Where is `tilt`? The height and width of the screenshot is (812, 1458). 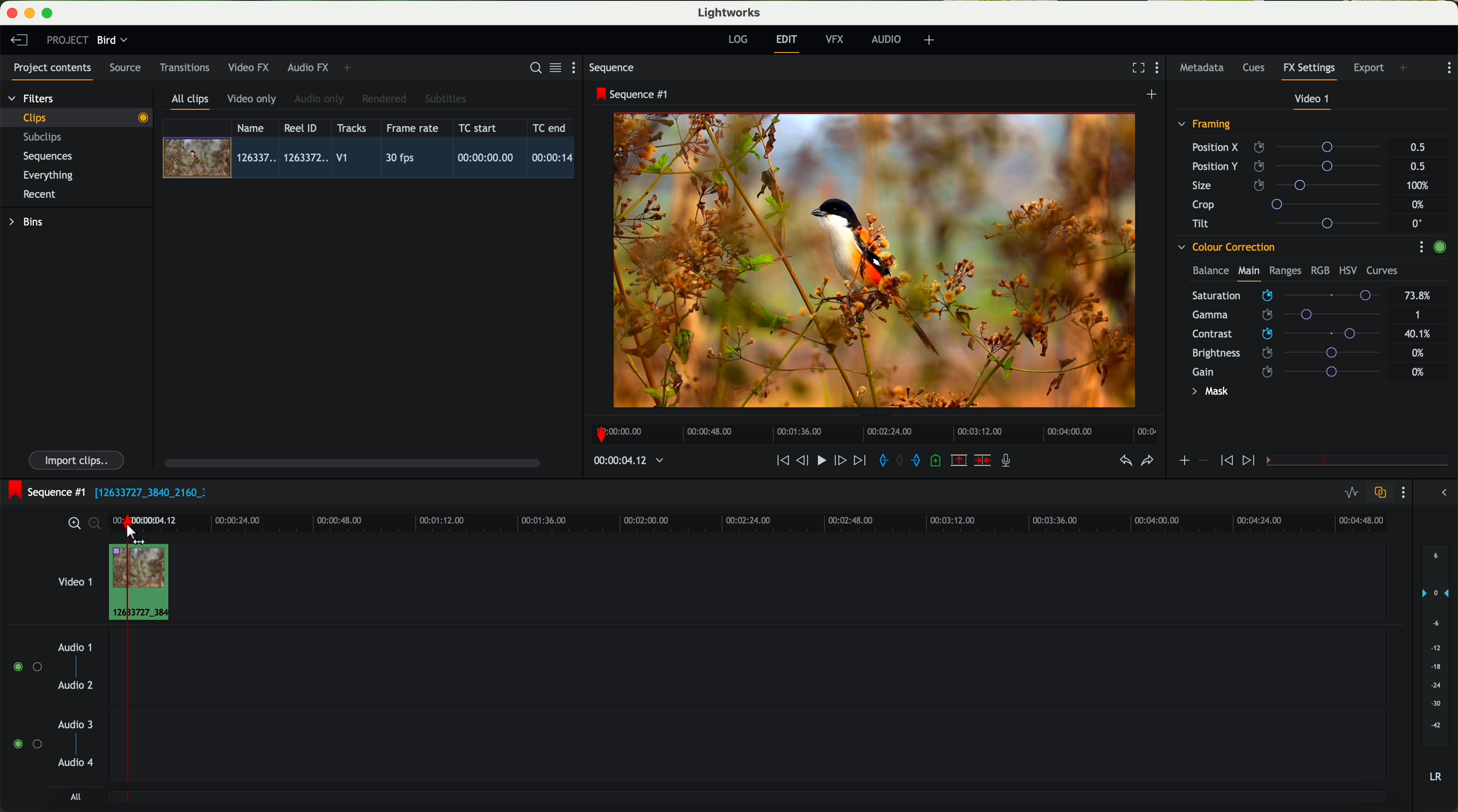 tilt is located at coordinates (1291, 223).